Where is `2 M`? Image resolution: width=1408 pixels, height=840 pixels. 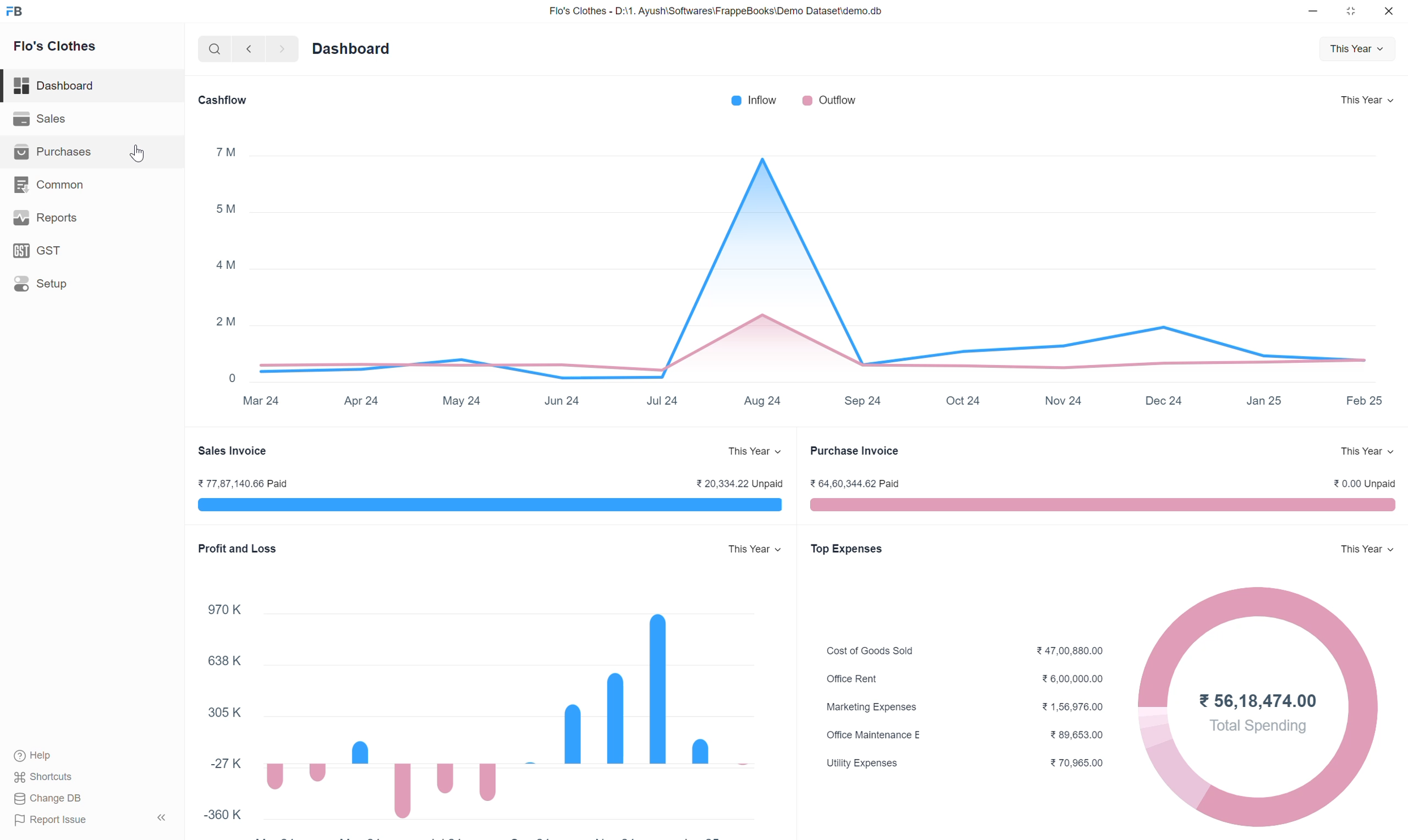 2 M is located at coordinates (228, 322).